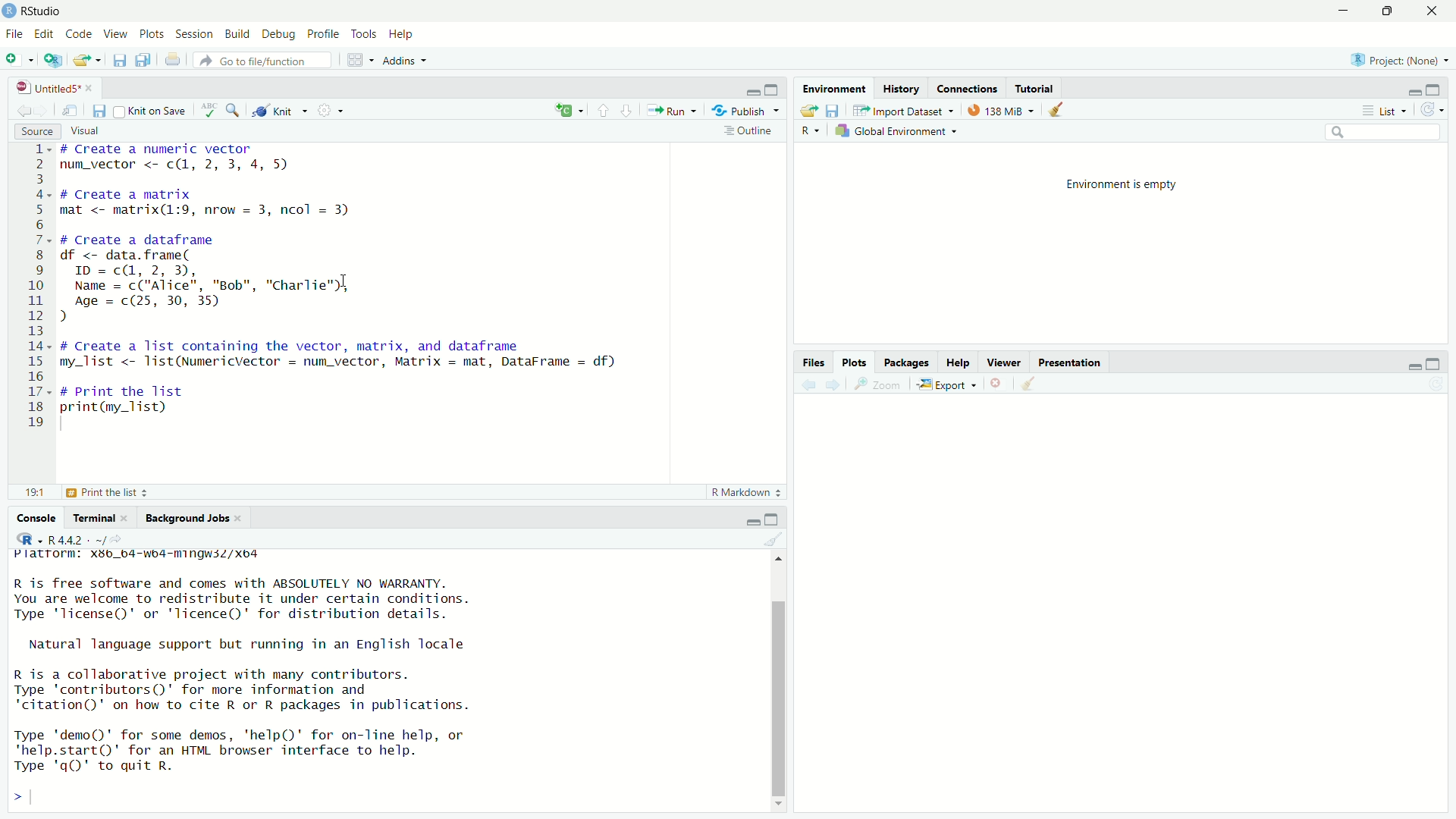  What do you see at coordinates (783, 676) in the screenshot?
I see `scroll bar` at bounding box center [783, 676].